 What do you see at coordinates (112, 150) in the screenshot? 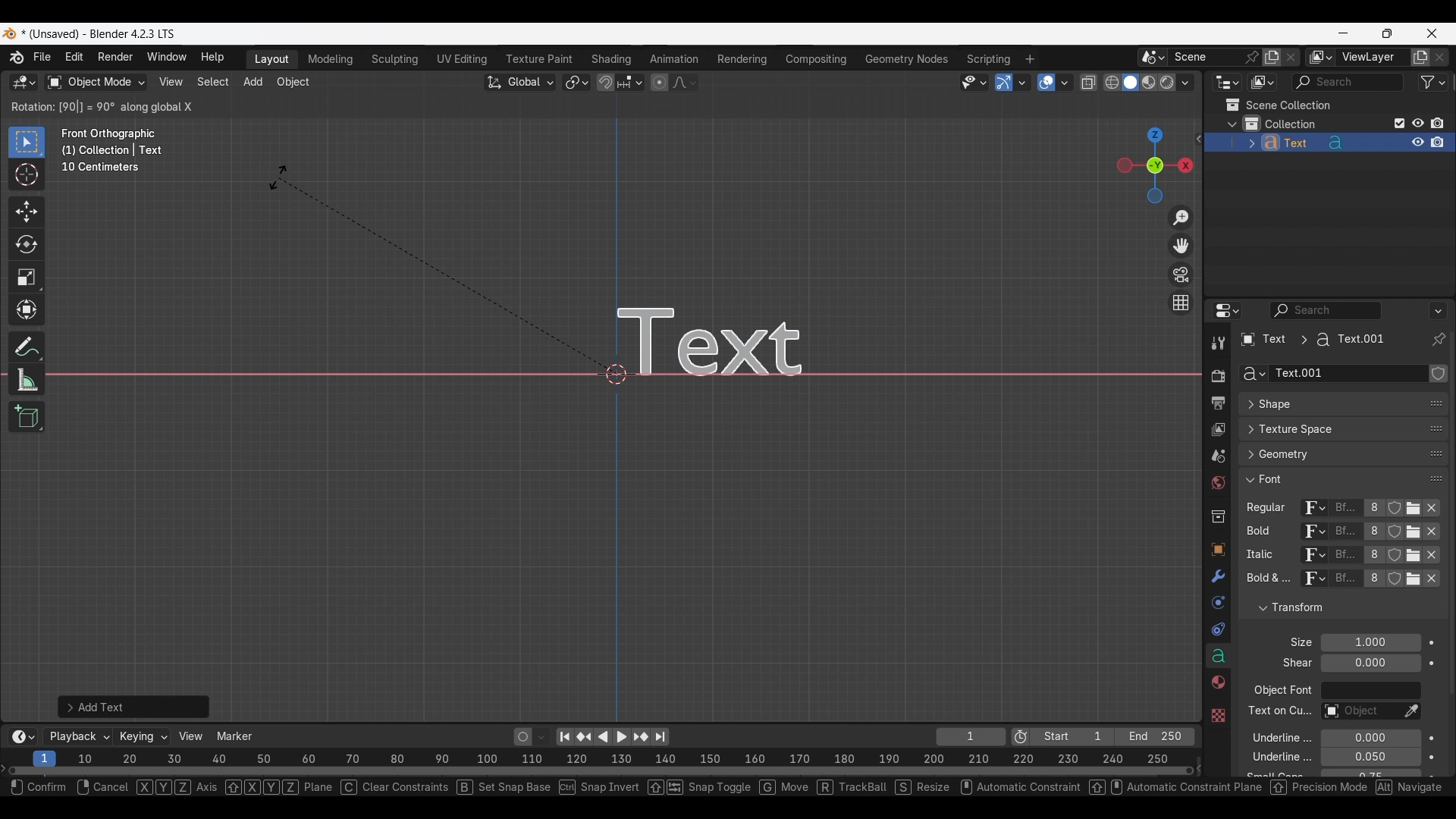
I see `Frame description changed` at bounding box center [112, 150].